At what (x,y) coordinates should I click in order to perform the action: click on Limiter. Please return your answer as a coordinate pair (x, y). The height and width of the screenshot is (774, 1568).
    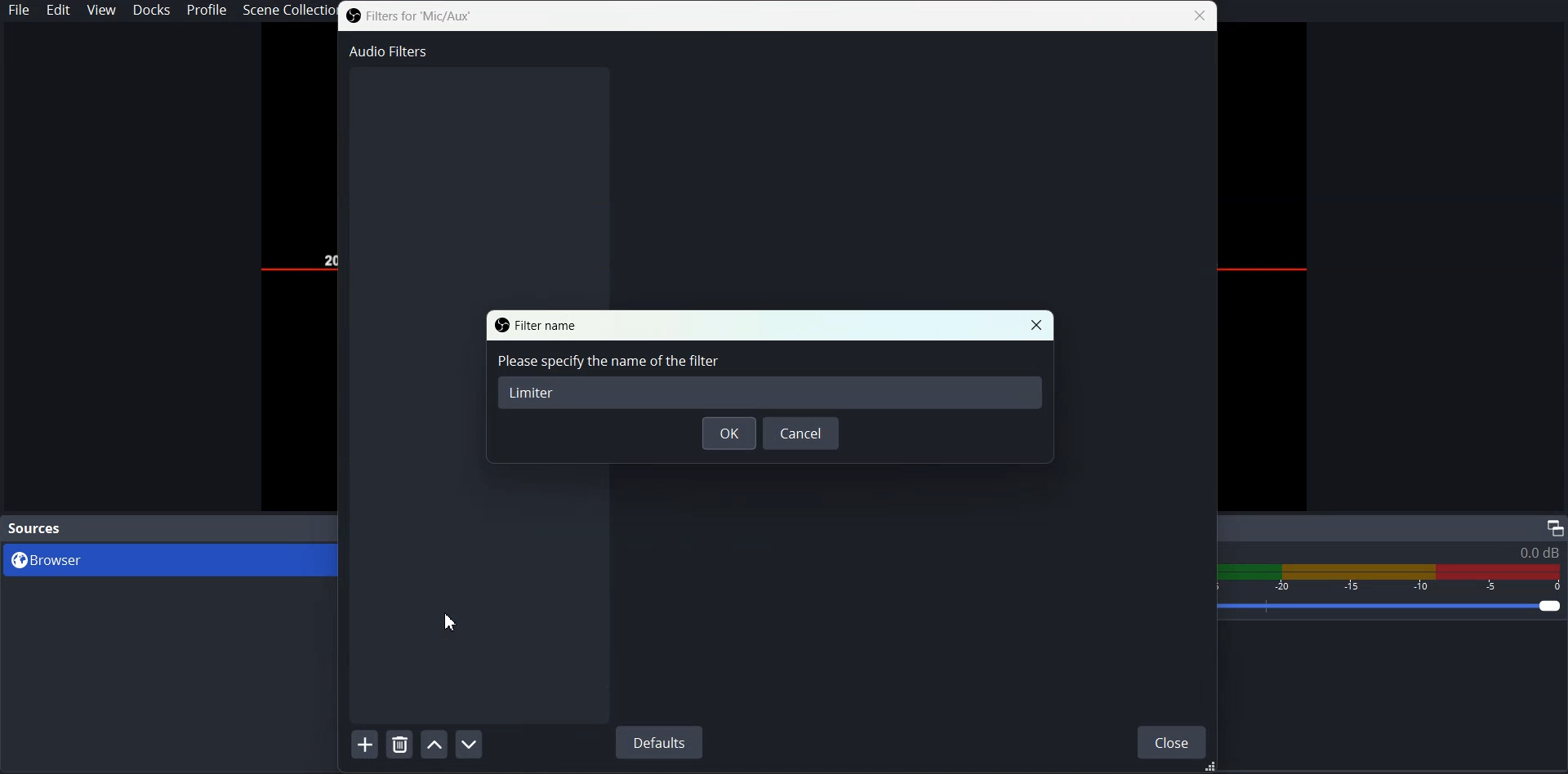
    Looking at the image, I should click on (532, 391).